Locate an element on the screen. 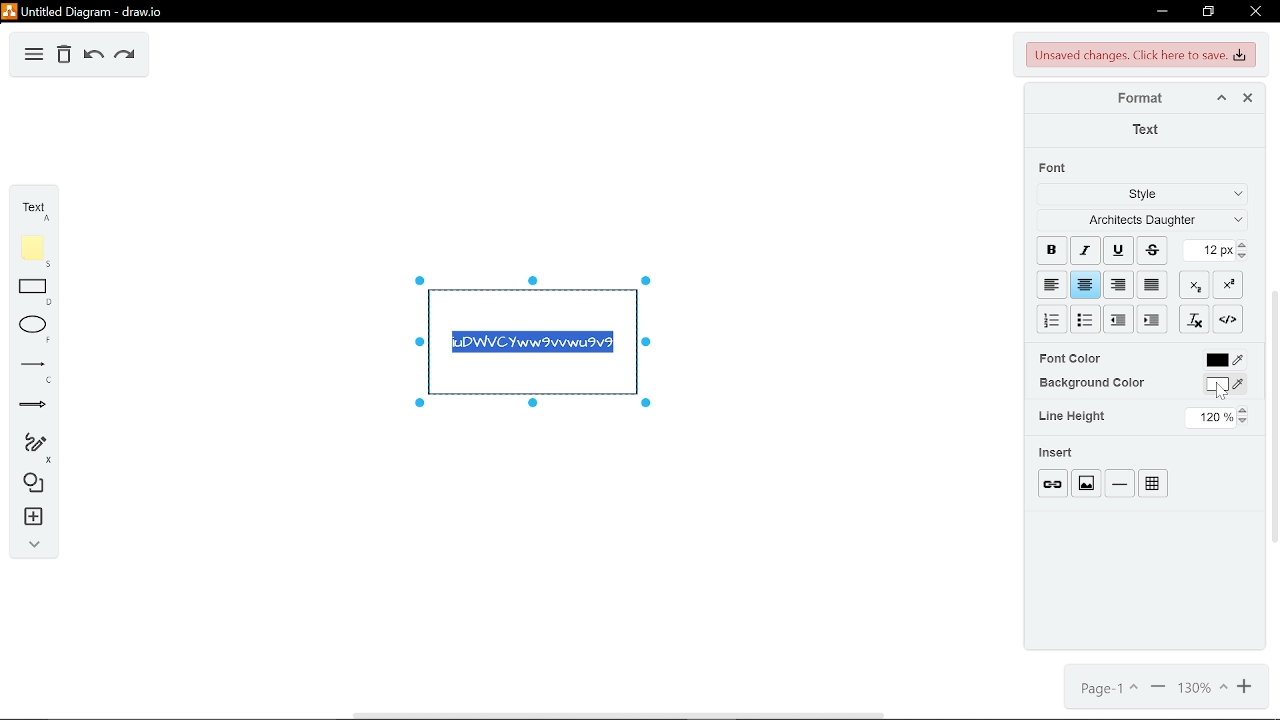  align left is located at coordinates (1051, 283).